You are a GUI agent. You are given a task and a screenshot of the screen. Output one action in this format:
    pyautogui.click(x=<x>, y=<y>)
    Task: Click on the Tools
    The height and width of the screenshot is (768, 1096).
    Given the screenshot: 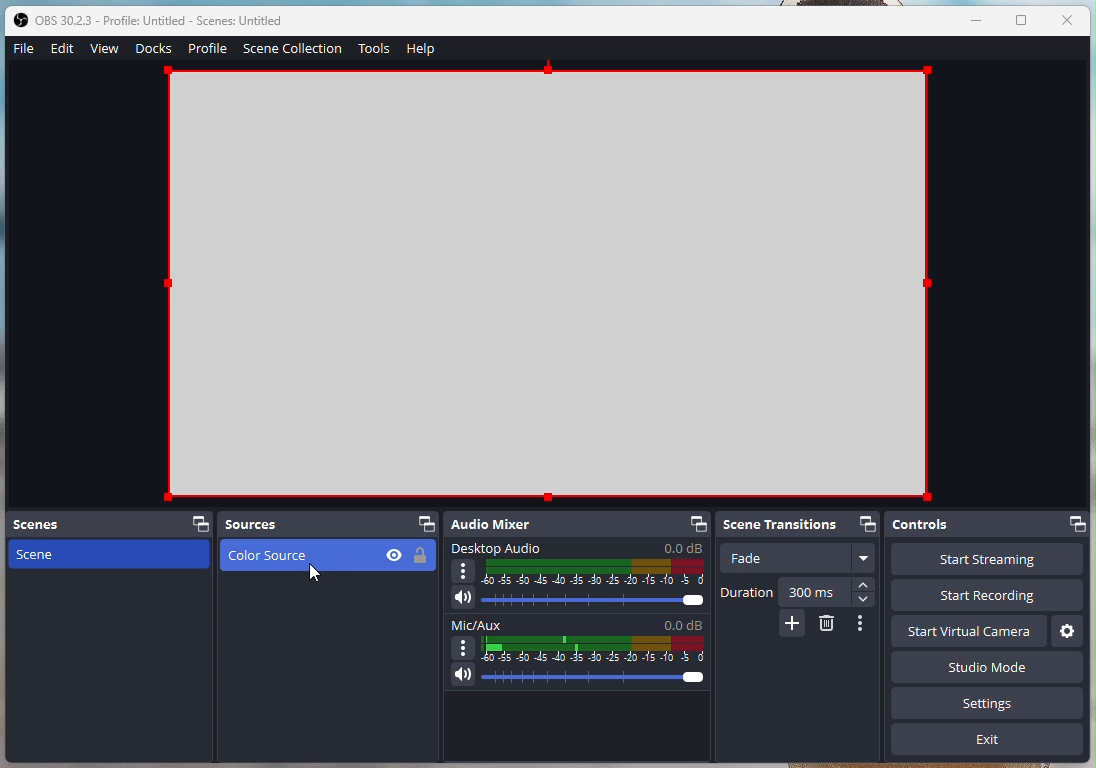 What is the action you would take?
    pyautogui.click(x=374, y=50)
    